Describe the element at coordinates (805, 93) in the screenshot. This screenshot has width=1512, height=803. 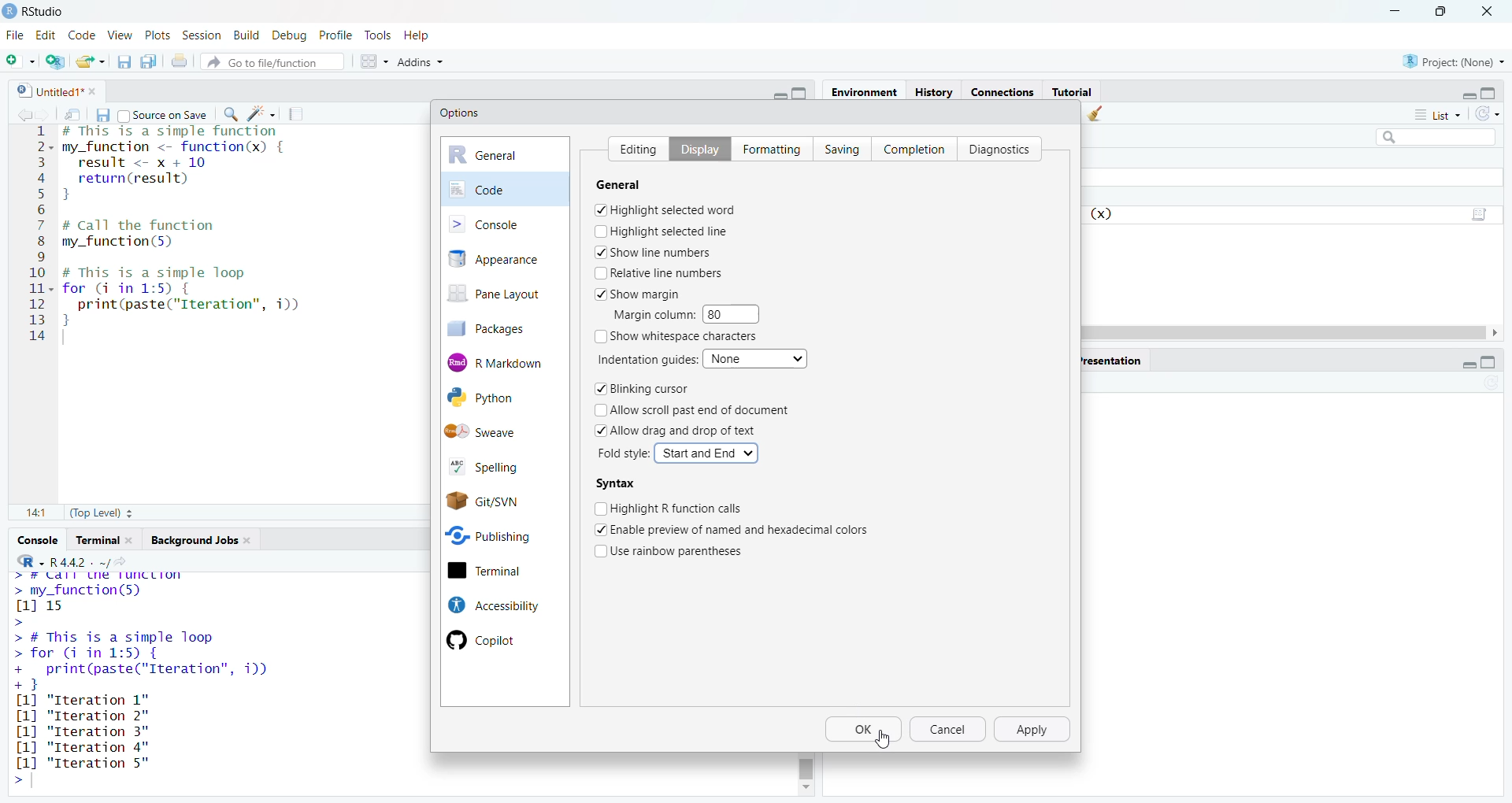
I see `maximize` at that location.